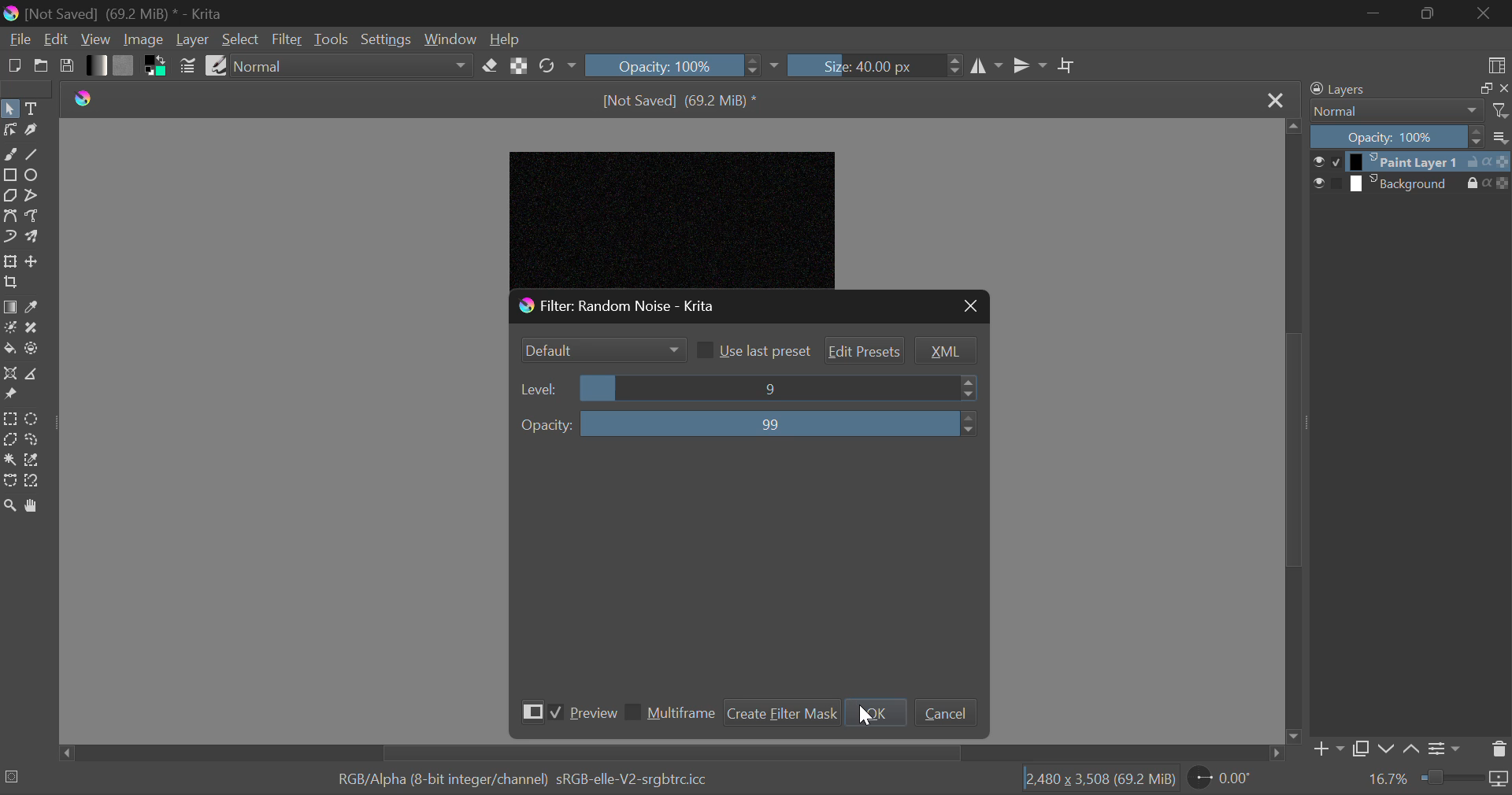 The image size is (1512, 795). I want to click on slider, so click(779, 387).